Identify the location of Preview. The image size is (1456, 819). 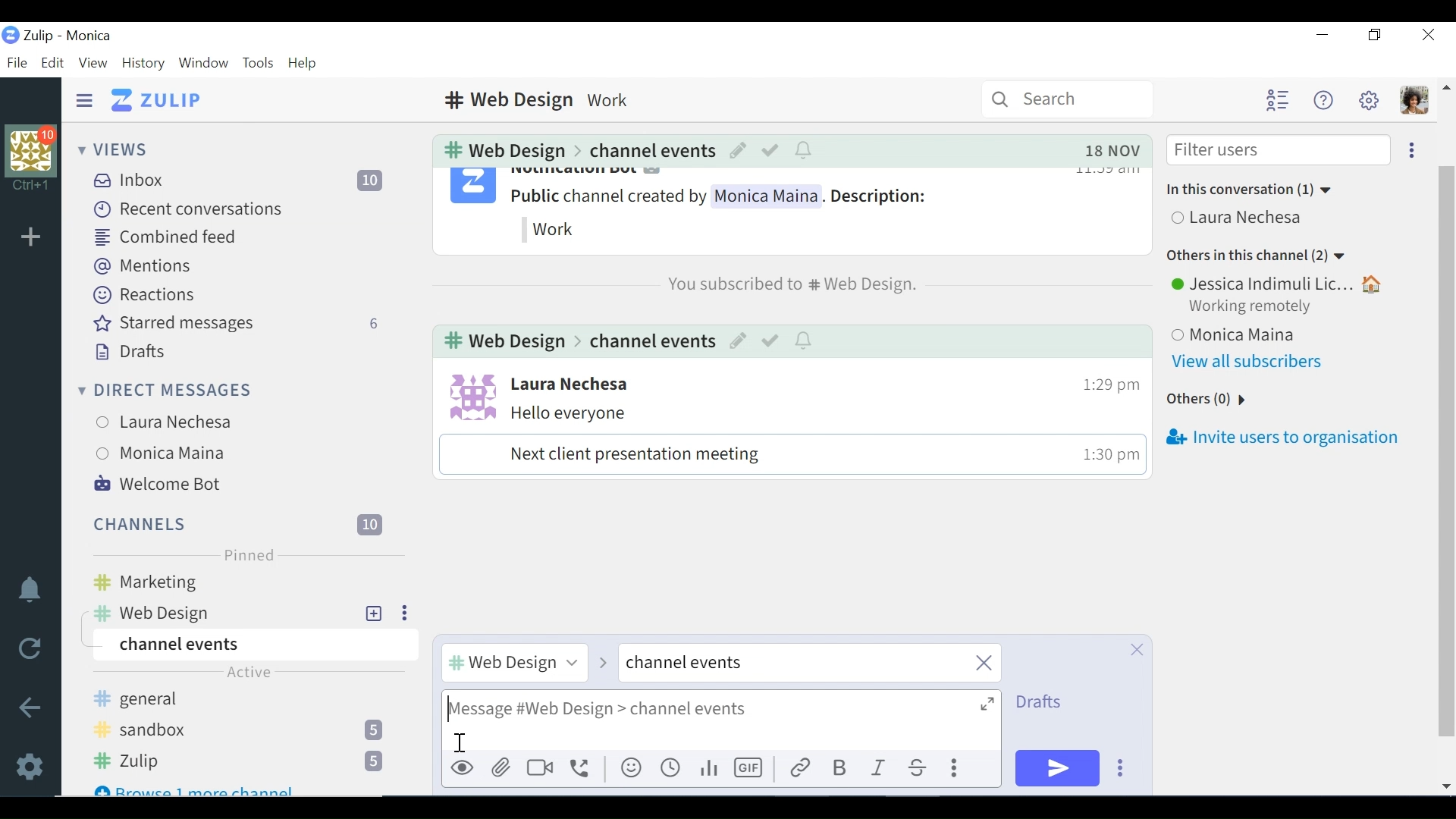
(463, 769).